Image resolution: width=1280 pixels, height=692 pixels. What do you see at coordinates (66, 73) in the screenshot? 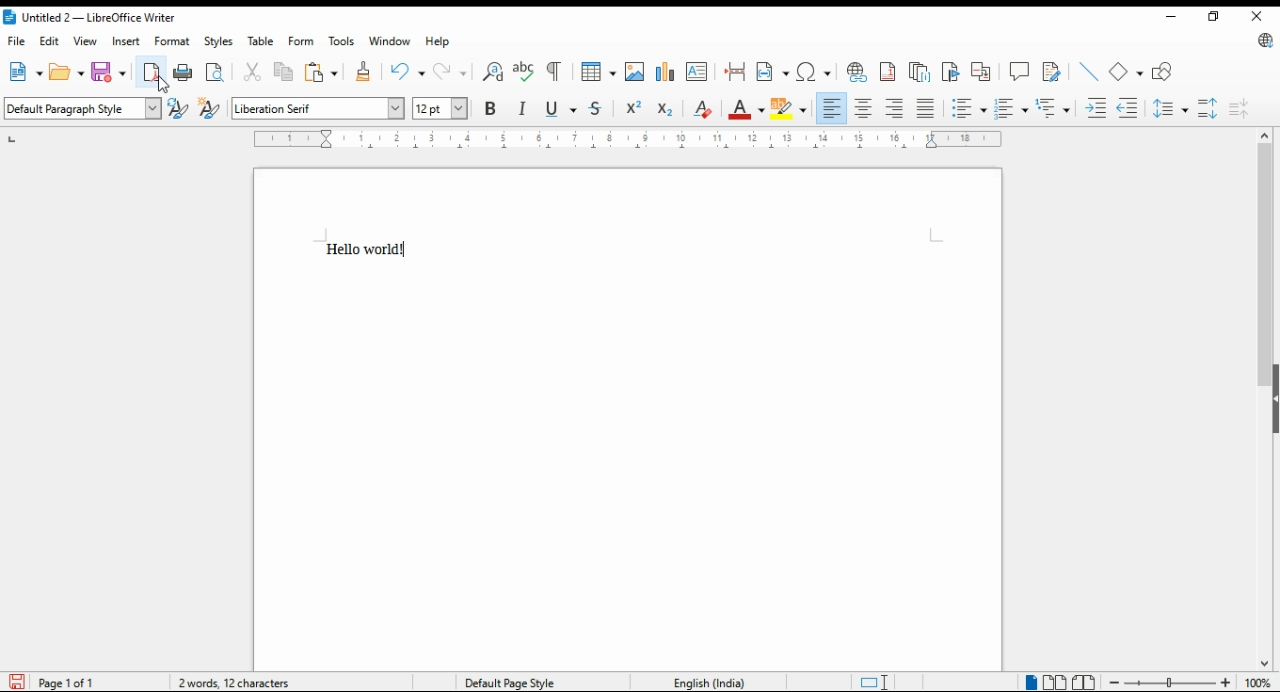
I see `open` at bounding box center [66, 73].